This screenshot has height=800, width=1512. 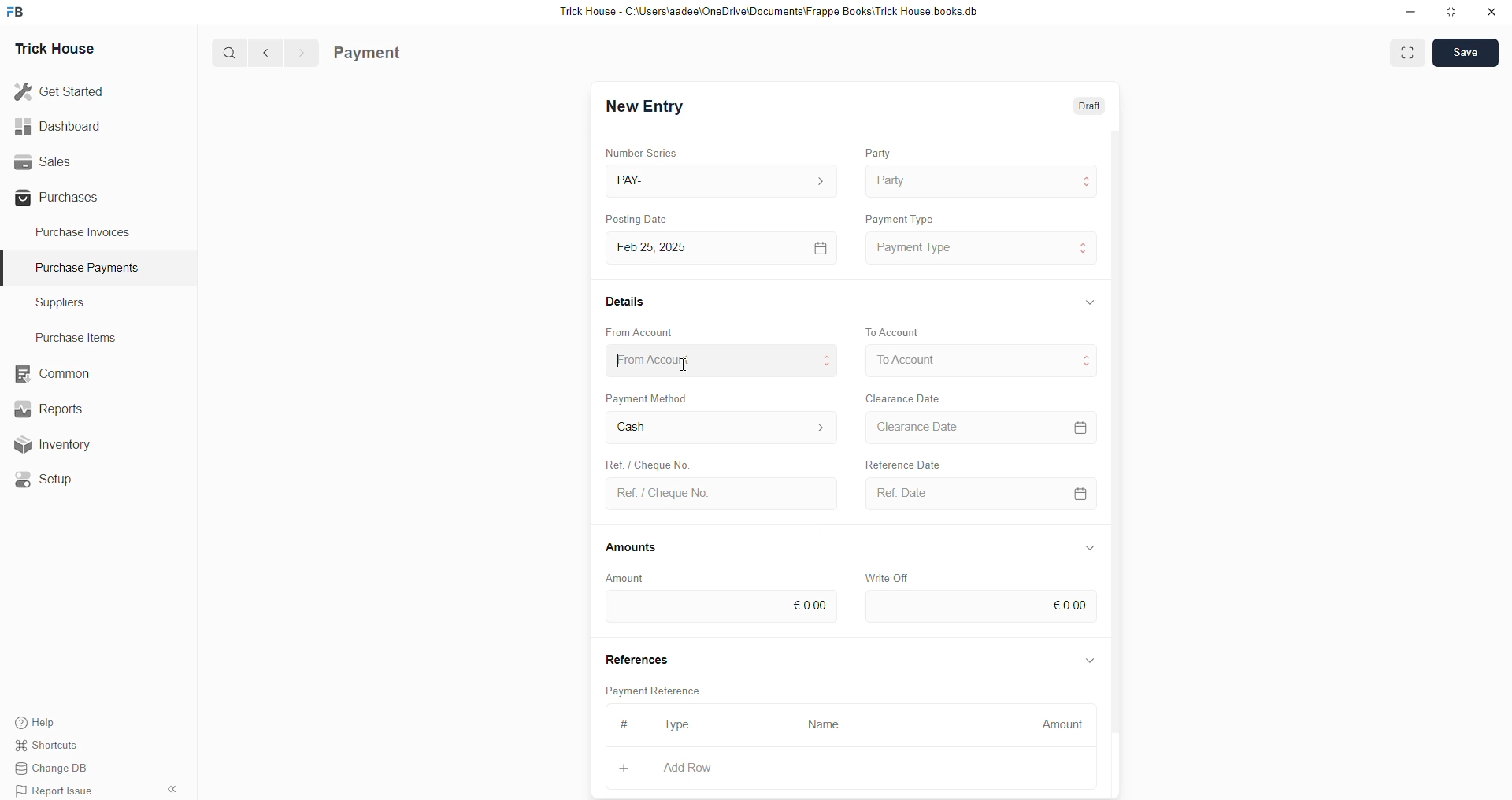 I want to click on Posting Date, so click(x=647, y=220).